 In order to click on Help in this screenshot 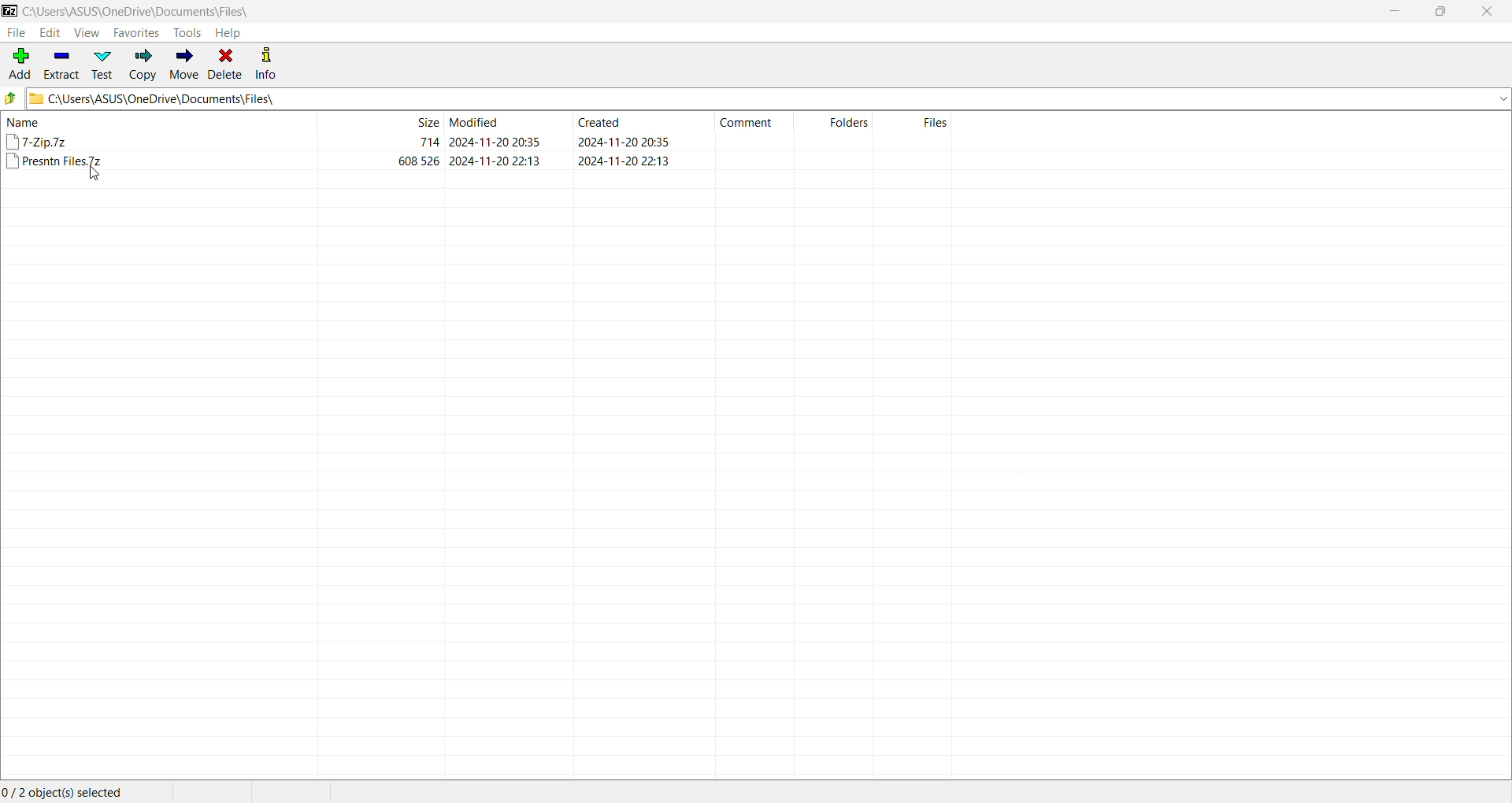, I will do `click(230, 32)`.